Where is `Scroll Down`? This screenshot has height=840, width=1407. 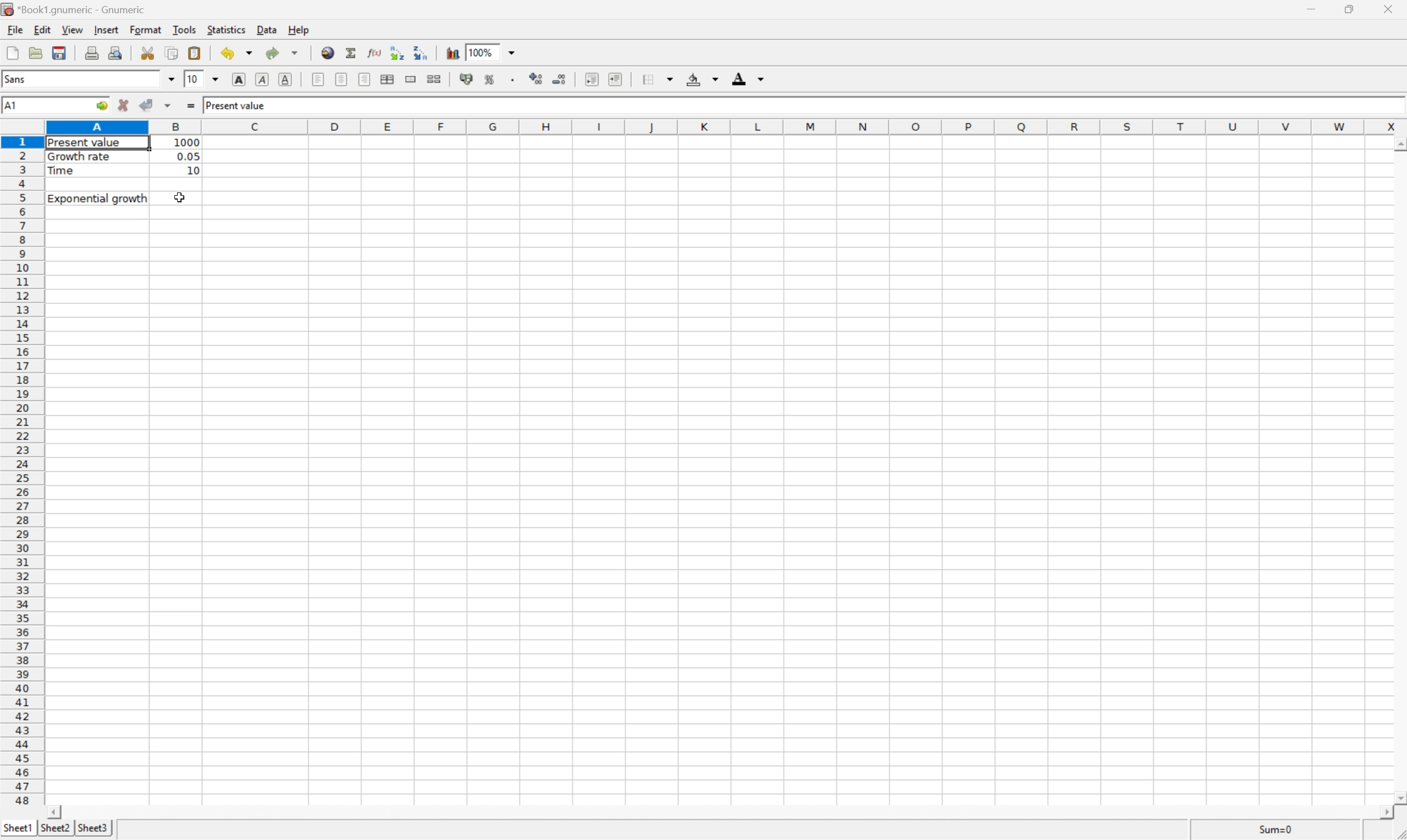 Scroll Down is located at coordinates (1398, 796).